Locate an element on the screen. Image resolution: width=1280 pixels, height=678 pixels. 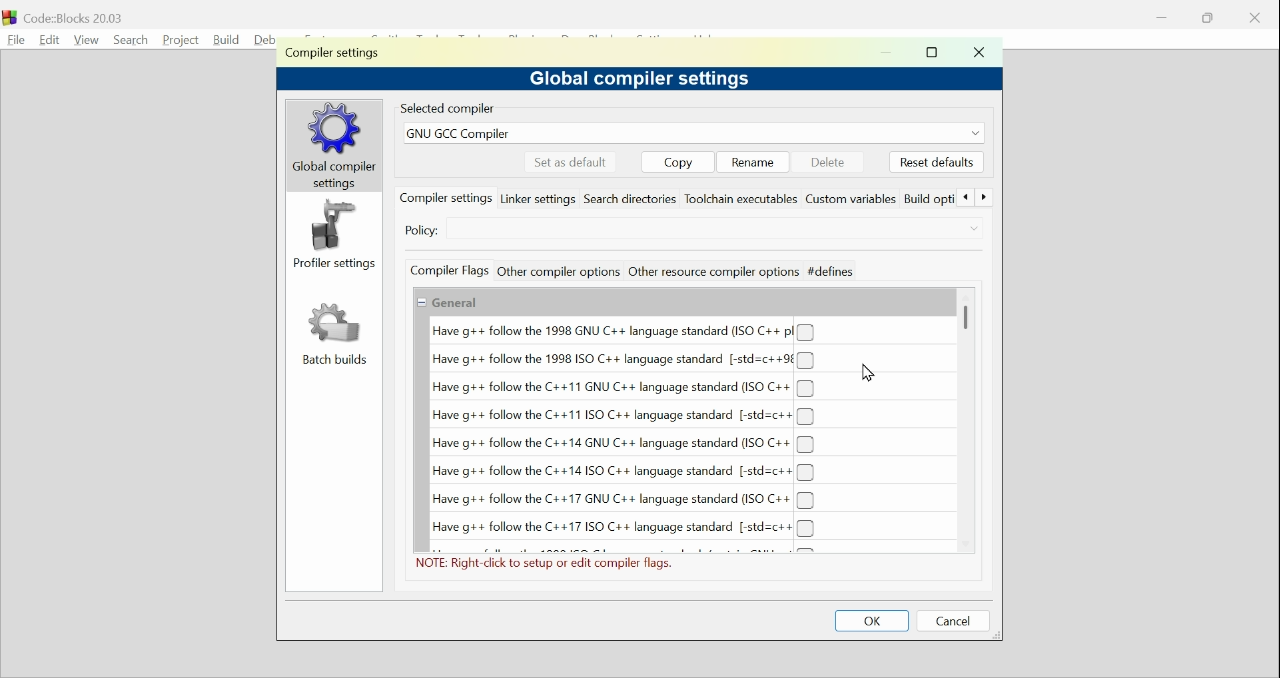
Build options is located at coordinates (929, 200).